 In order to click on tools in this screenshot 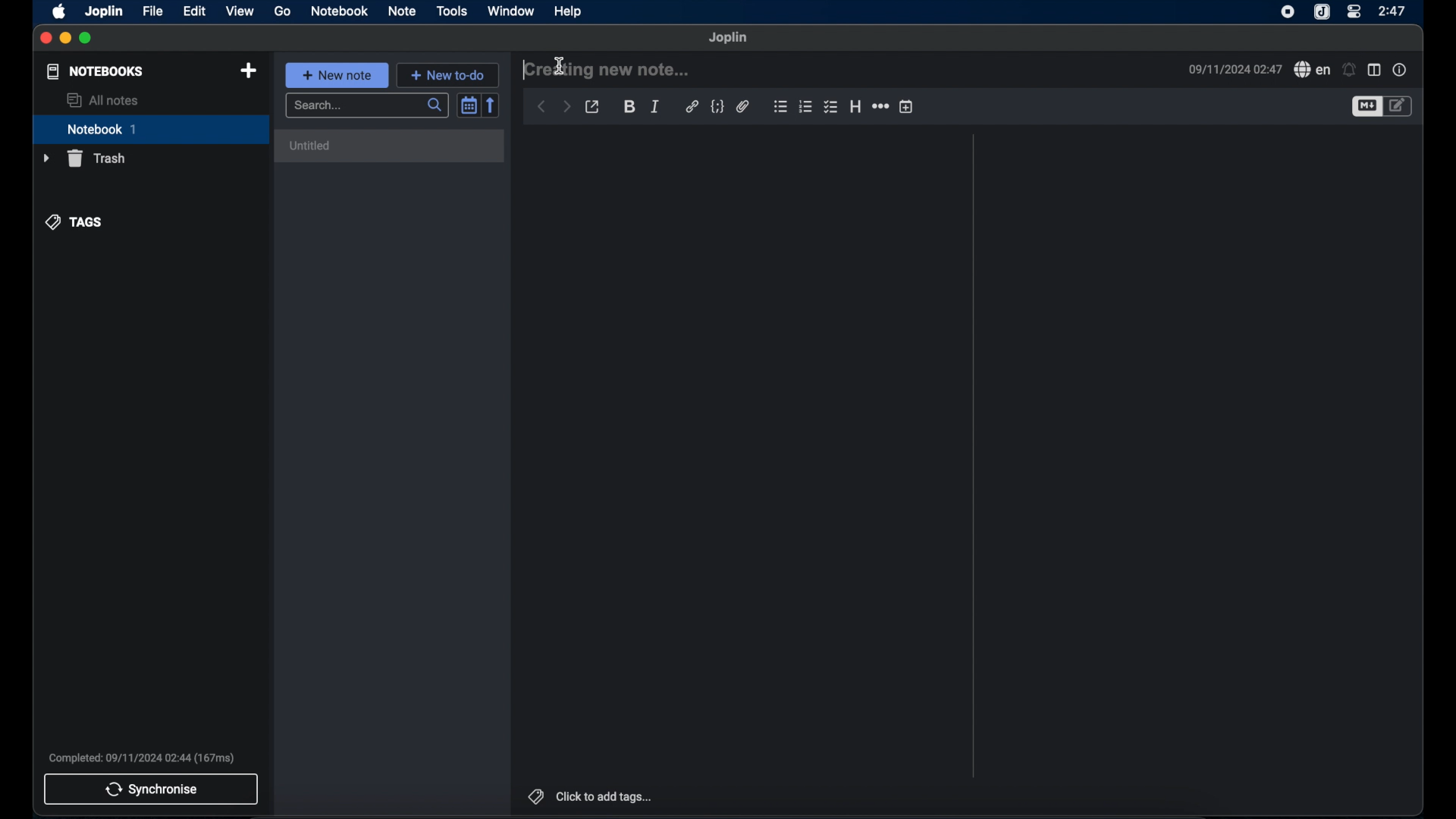, I will do `click(451, 11)`.